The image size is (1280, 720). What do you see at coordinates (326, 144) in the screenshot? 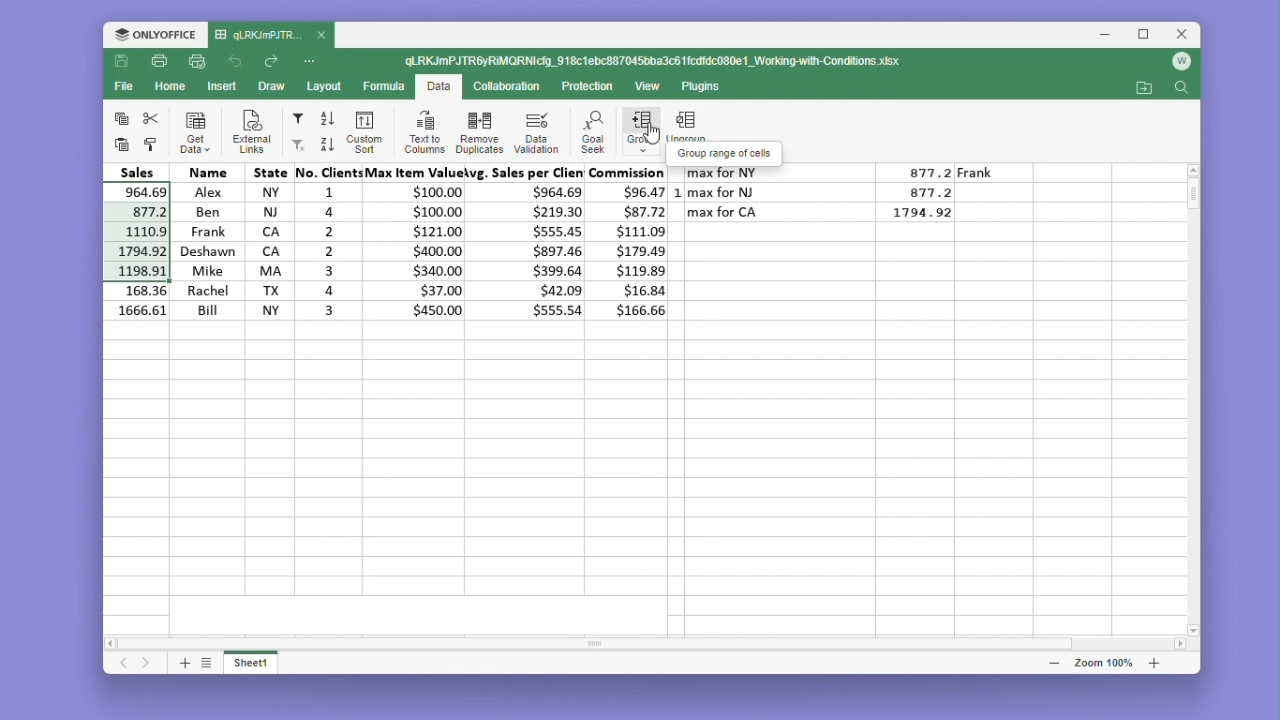
I see `sort descending` at bounding box center [326, 144].